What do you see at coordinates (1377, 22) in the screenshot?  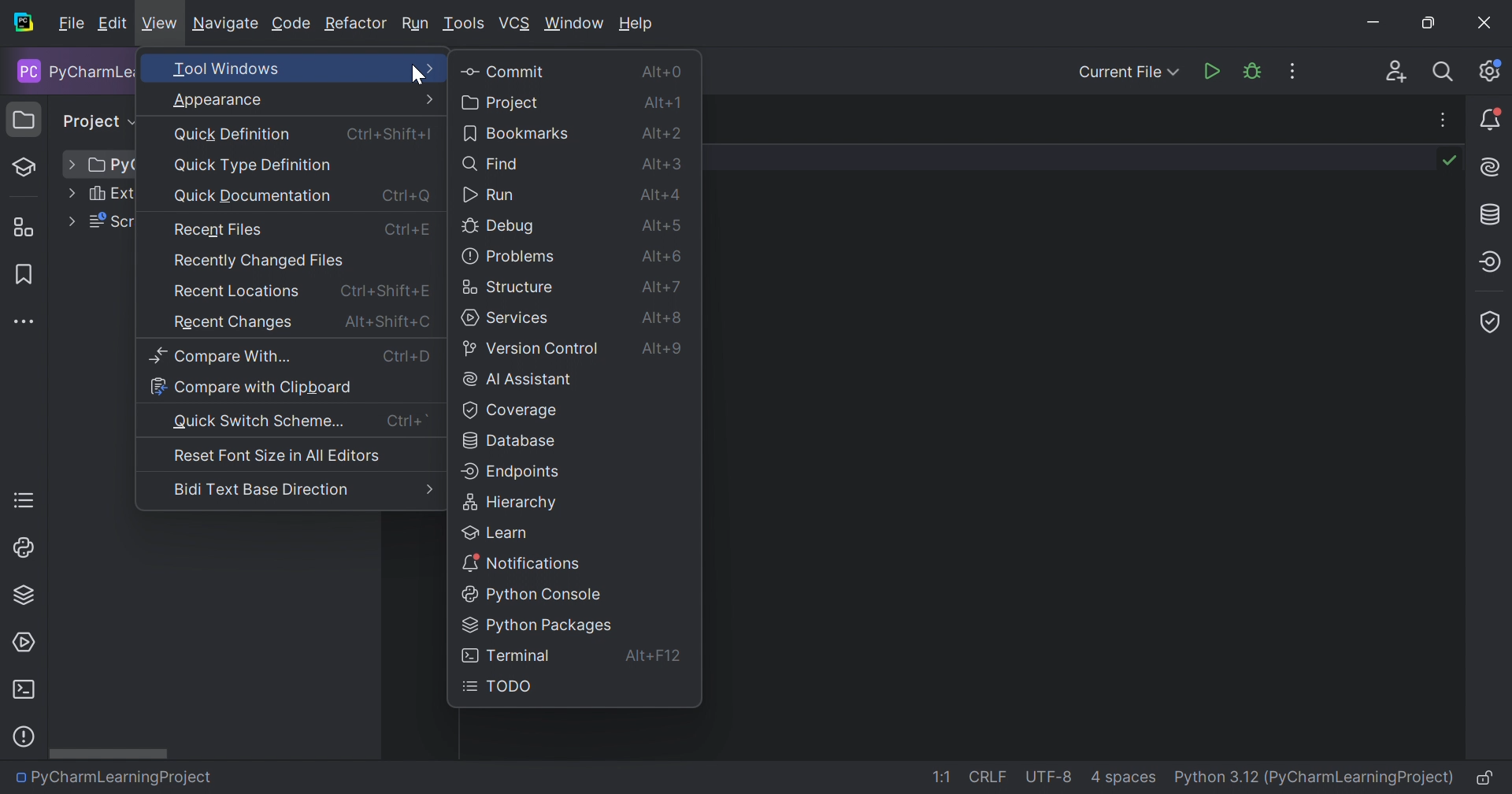 I see `Minimize` at bounding box center [1377, 22].